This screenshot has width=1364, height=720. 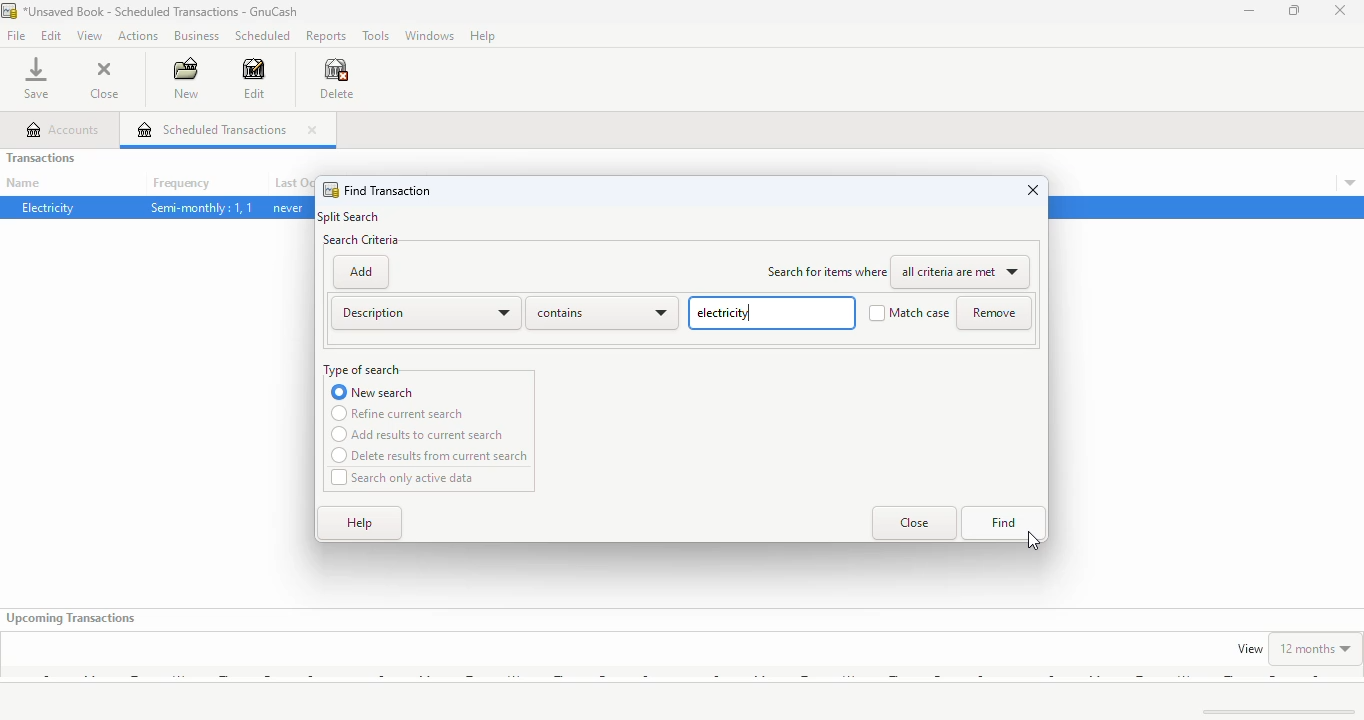 I want to click on transaction details, so click(x=1350, y=183).